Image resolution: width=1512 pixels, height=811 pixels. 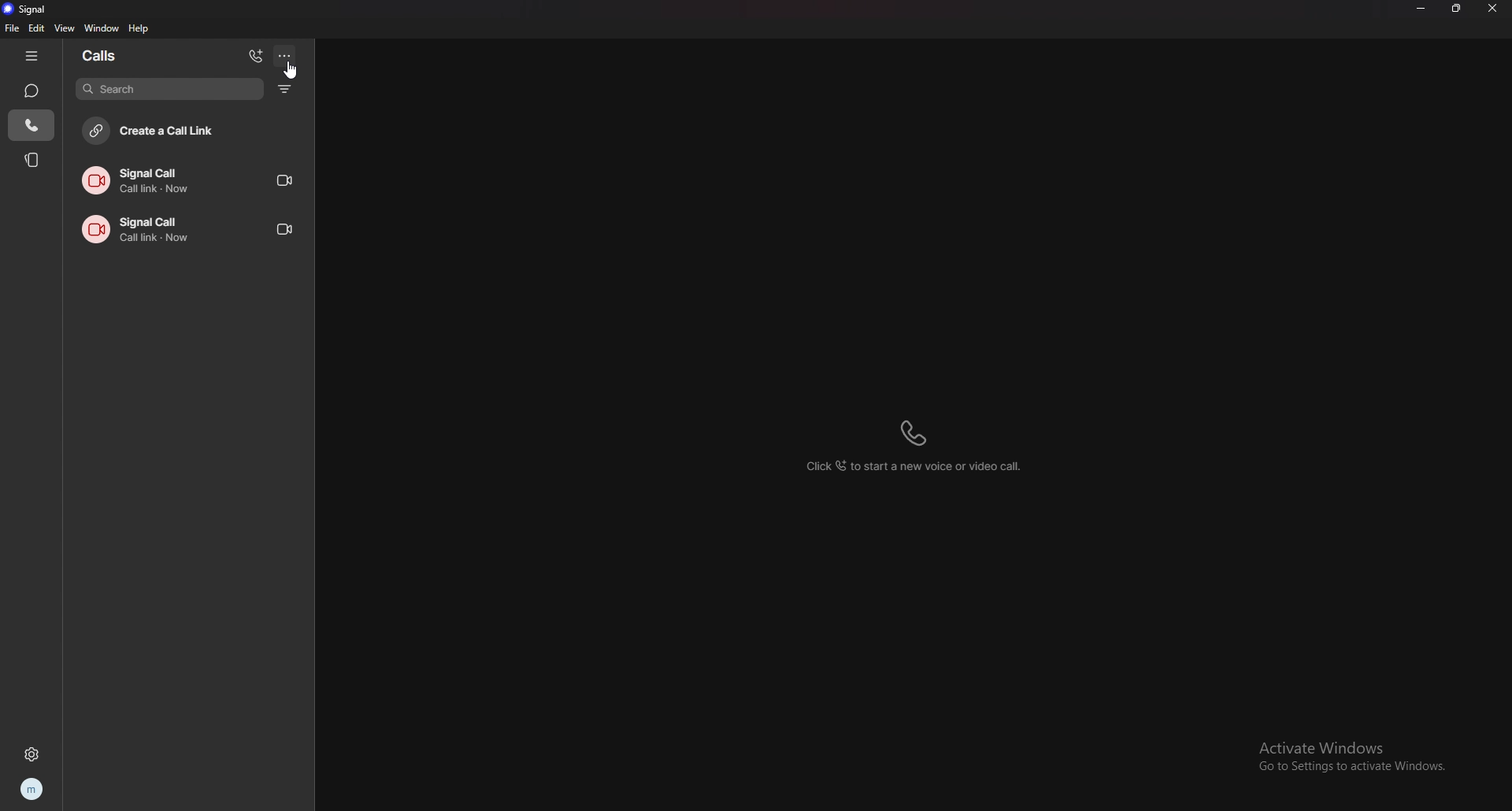 I want to click on view, so click(x=66, y=28).